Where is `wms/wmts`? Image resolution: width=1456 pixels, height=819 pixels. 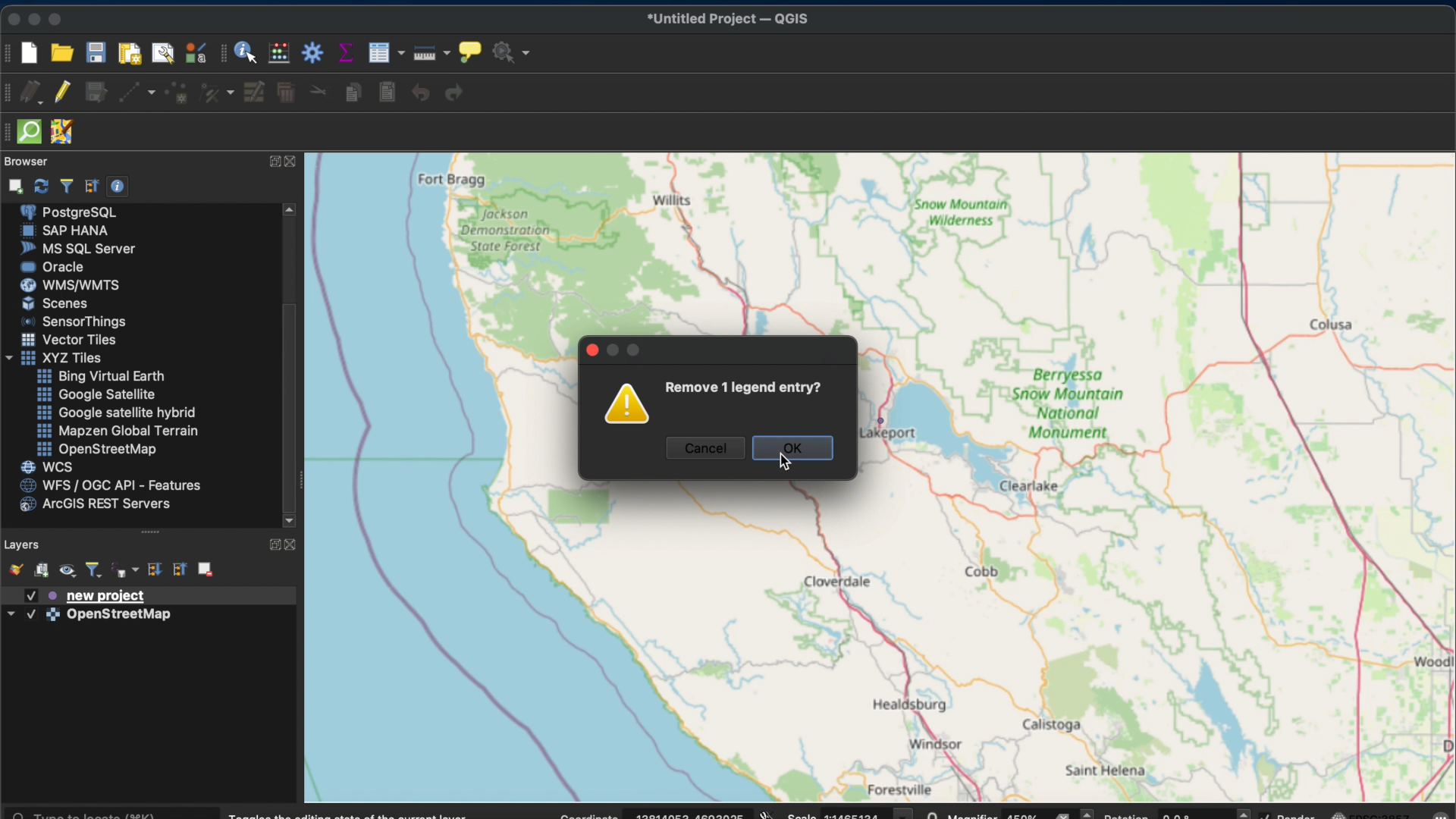
wms/wmts is located at coordinates (67, 284).